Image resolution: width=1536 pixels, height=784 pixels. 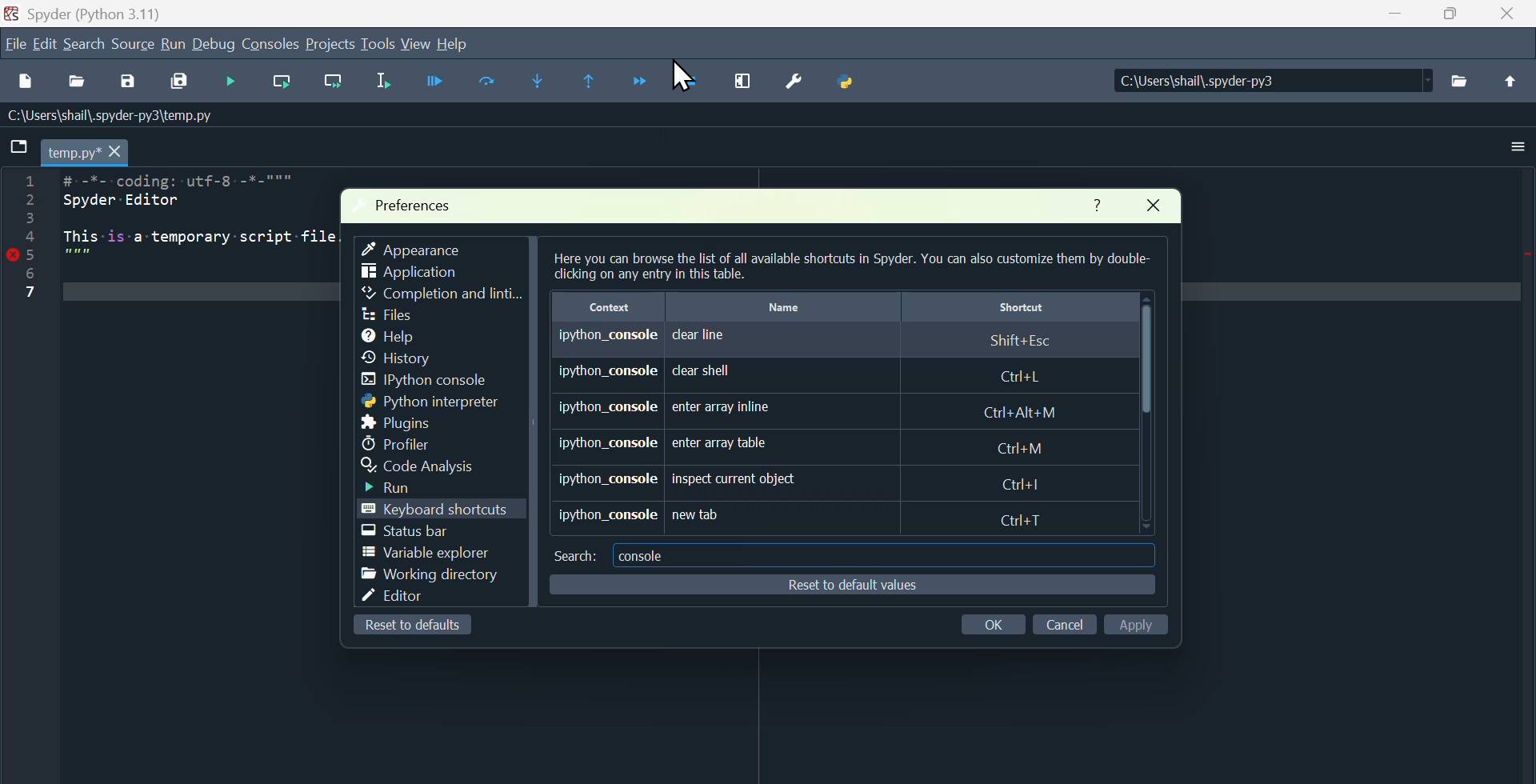 What do you see at coordinates (1064, 626) in the screenshot?
I see `Cancel` at bounding box center [1064, 626].